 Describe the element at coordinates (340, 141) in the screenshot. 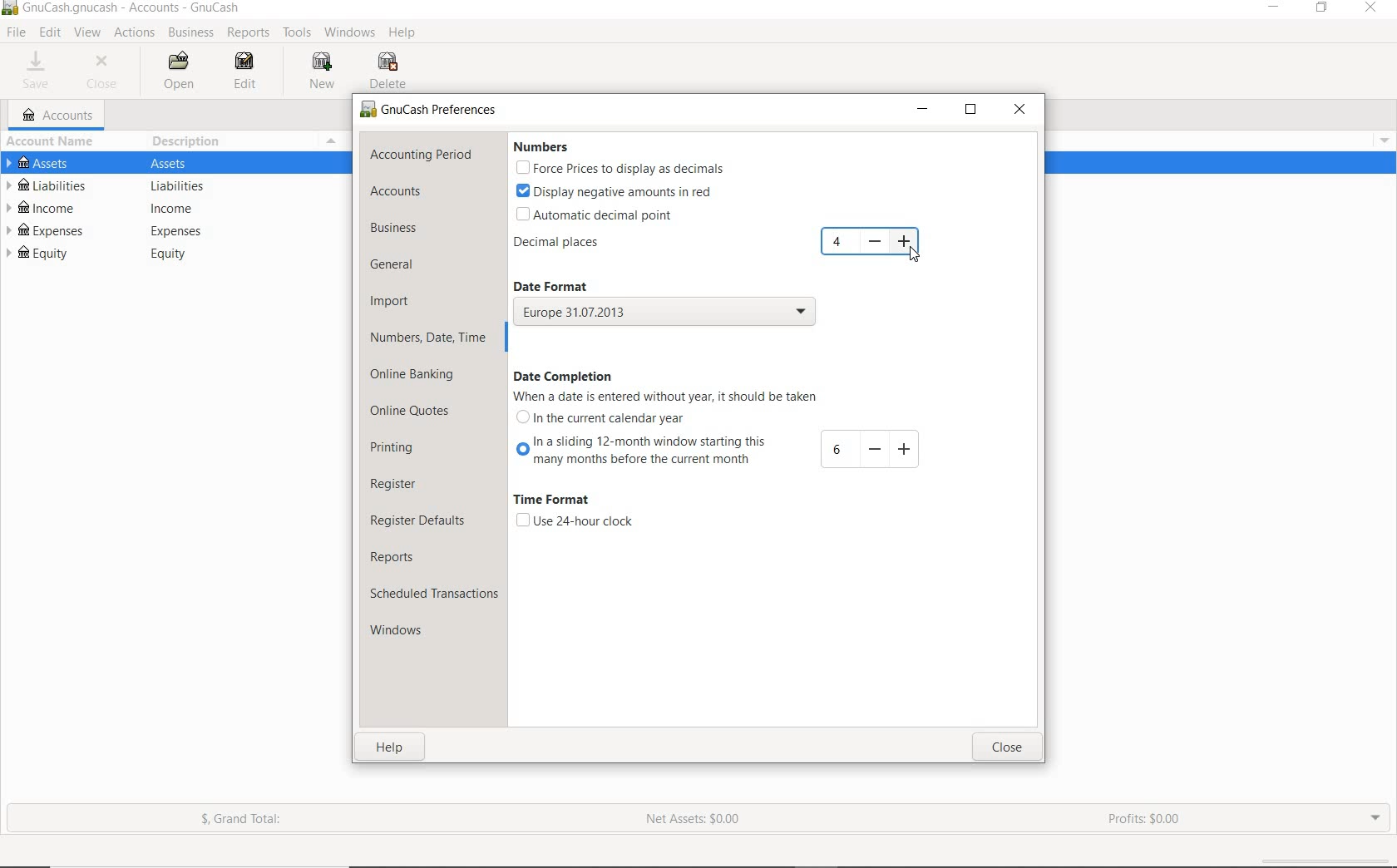

I see `TOTAL` at that location.